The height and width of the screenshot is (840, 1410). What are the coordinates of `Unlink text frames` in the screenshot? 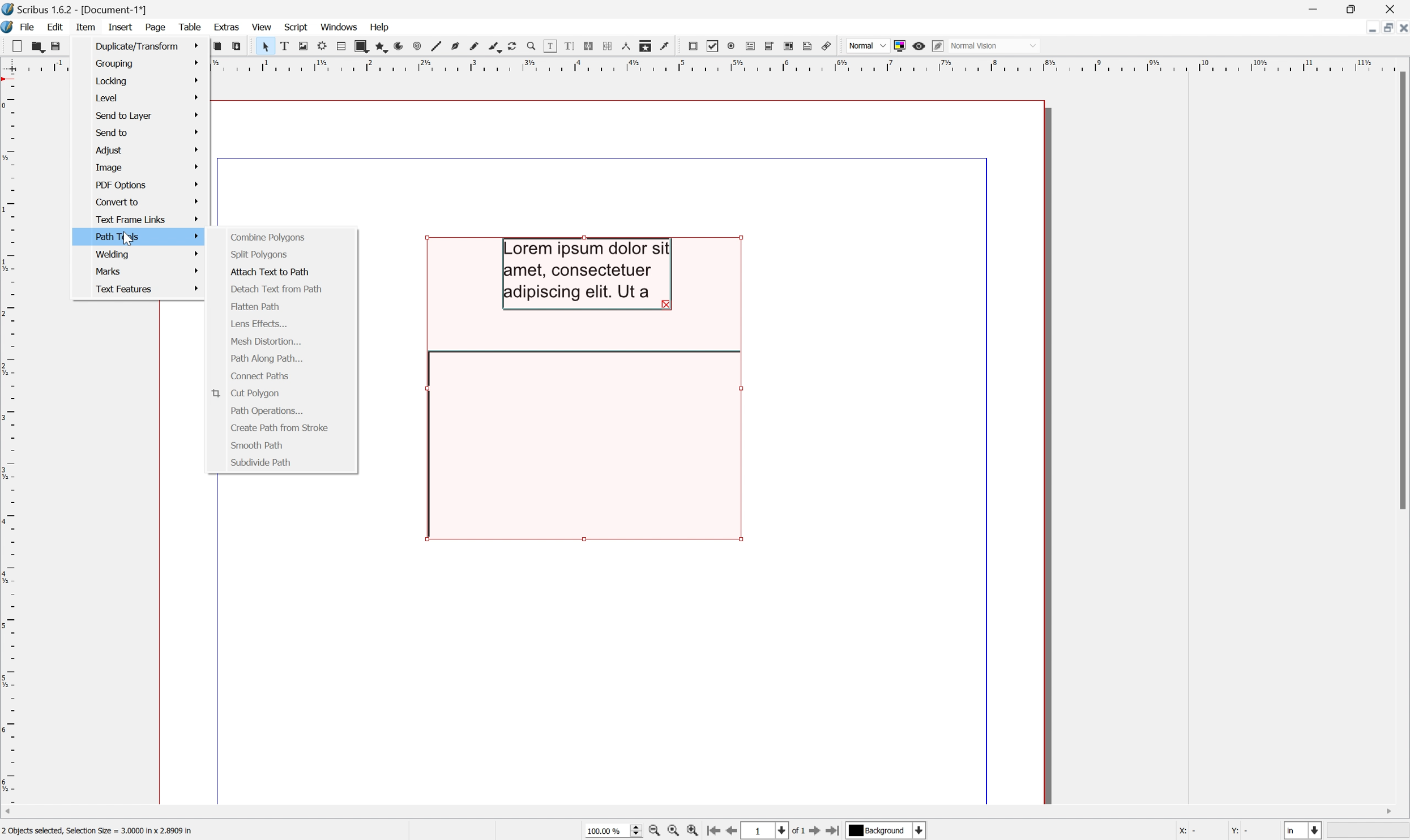 It's located at (607, 45).